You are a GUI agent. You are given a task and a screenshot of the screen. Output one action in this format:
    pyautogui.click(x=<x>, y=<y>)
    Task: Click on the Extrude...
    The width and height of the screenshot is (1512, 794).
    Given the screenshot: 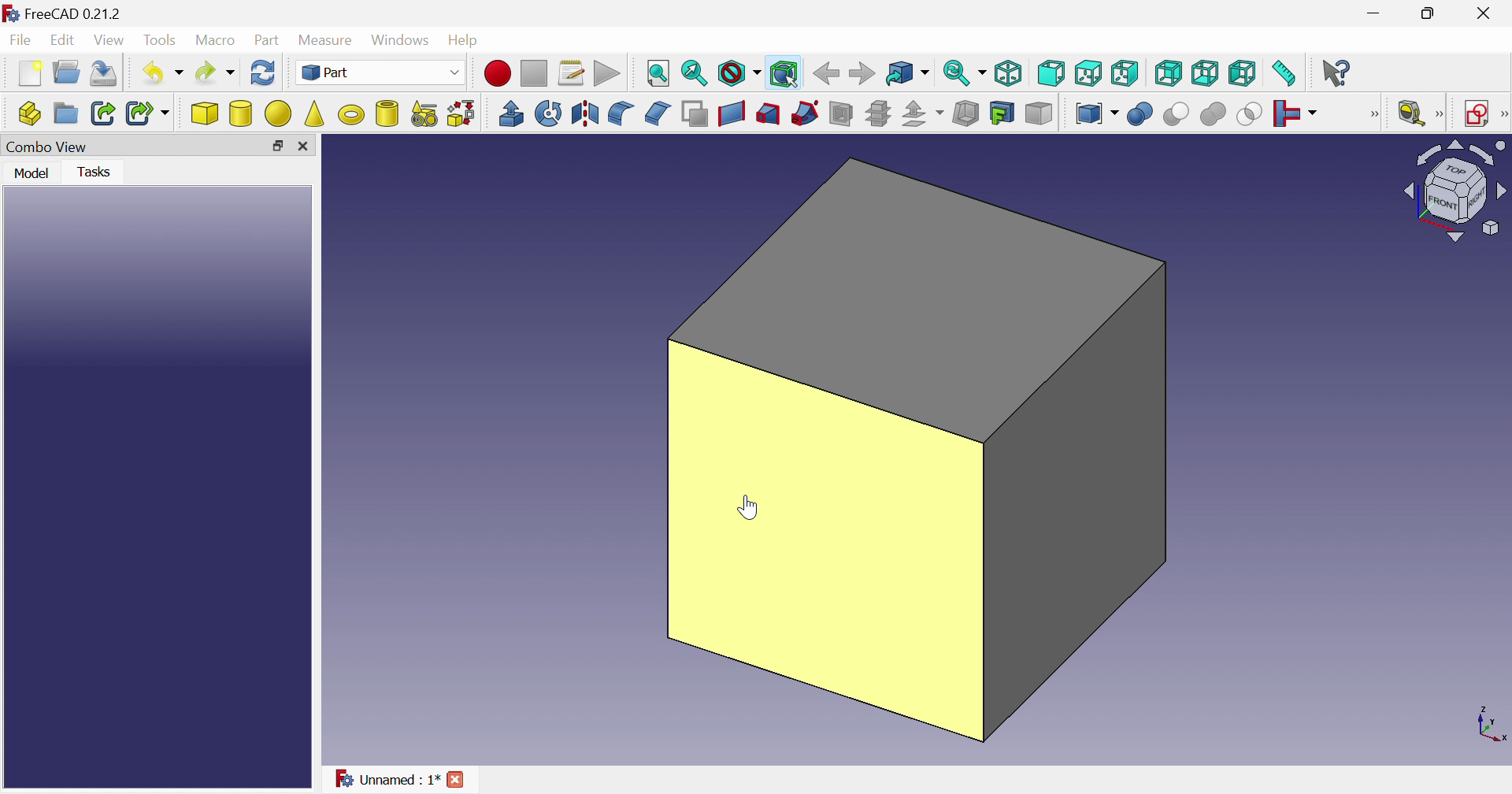 What is the action you would take?
    pyautogui.click(x=510, y=113)
    